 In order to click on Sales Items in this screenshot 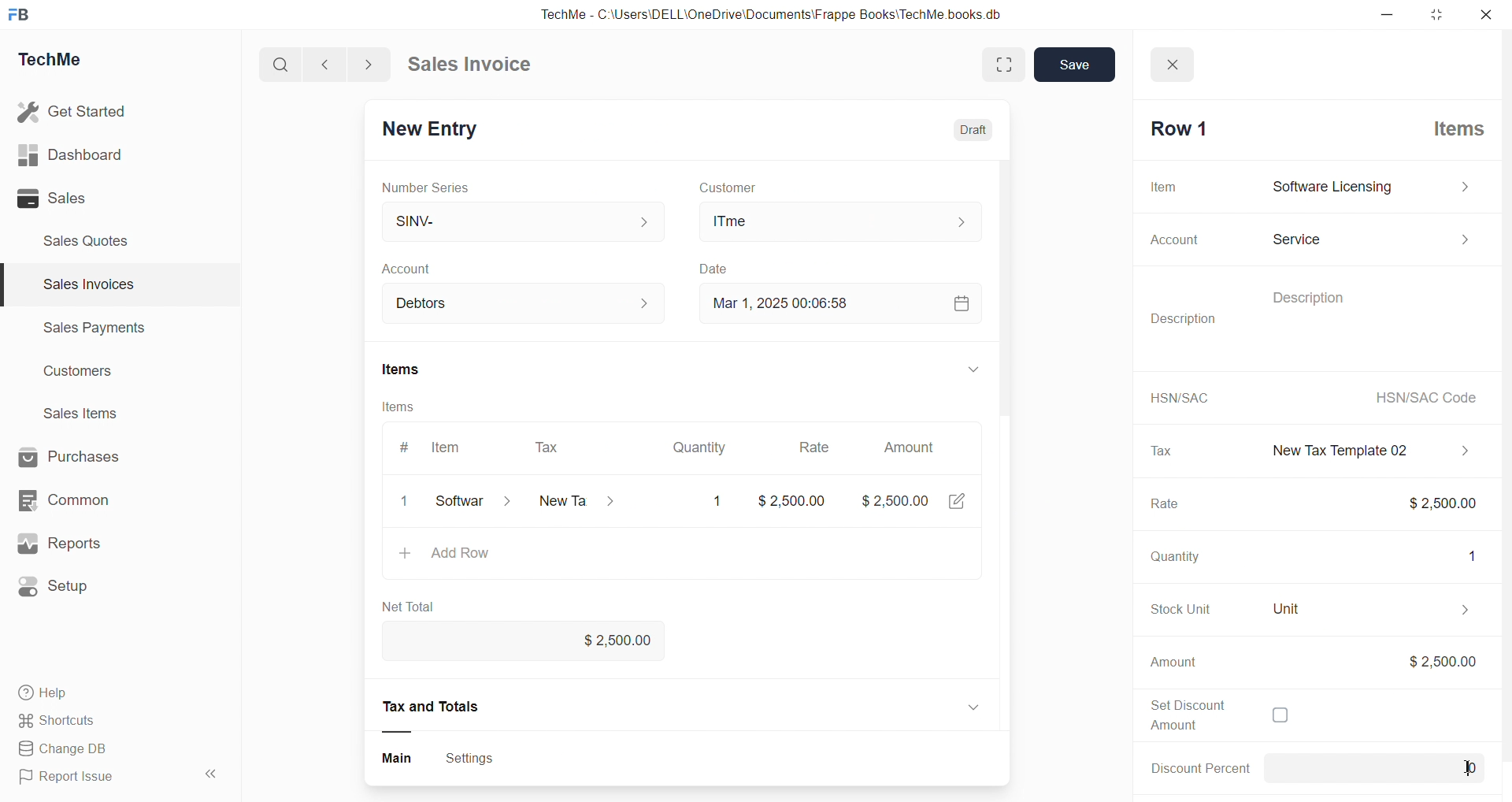, I will do `click(87, 415)`.